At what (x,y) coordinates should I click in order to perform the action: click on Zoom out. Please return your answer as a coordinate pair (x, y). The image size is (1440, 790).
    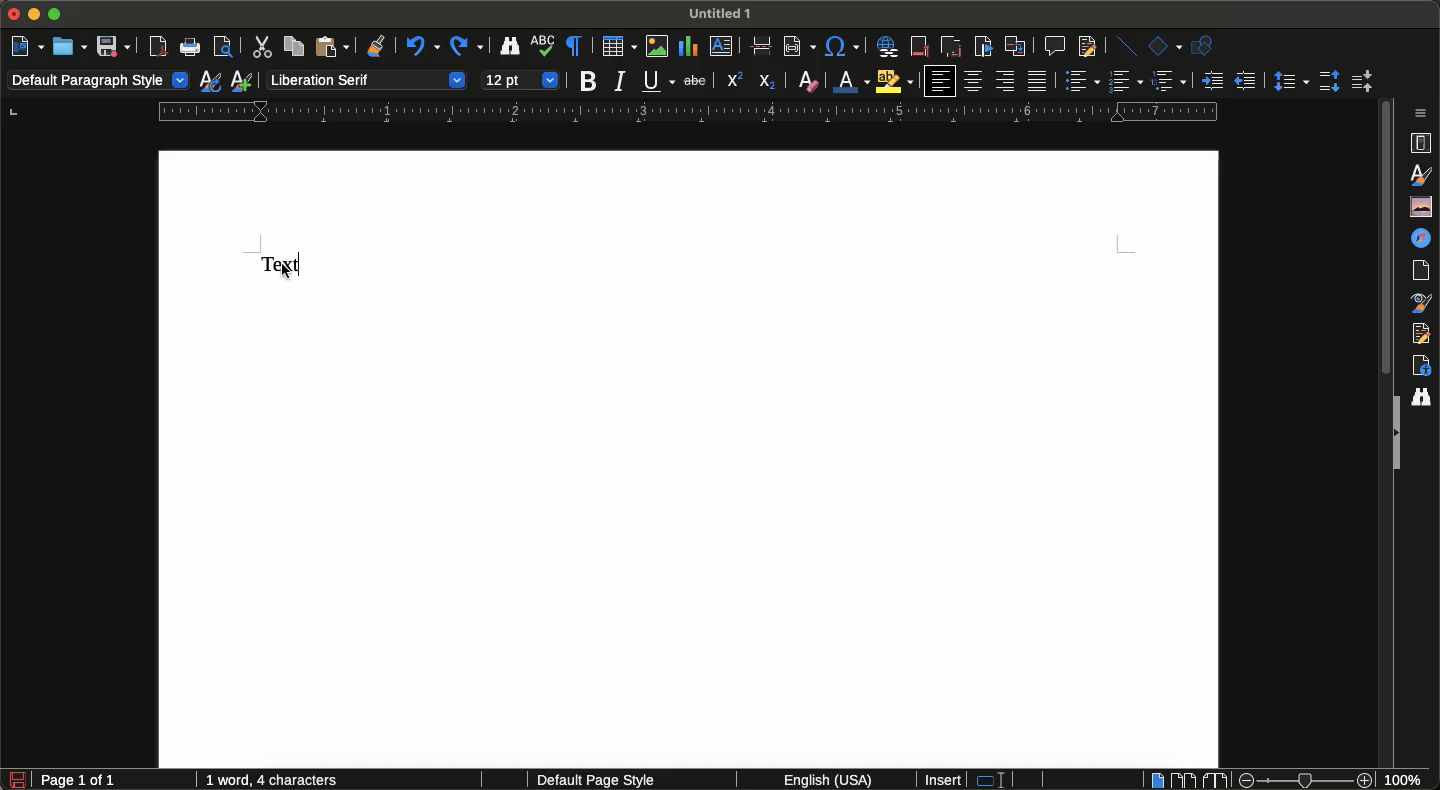
    Looking at the image, I should click on (1242, 780).